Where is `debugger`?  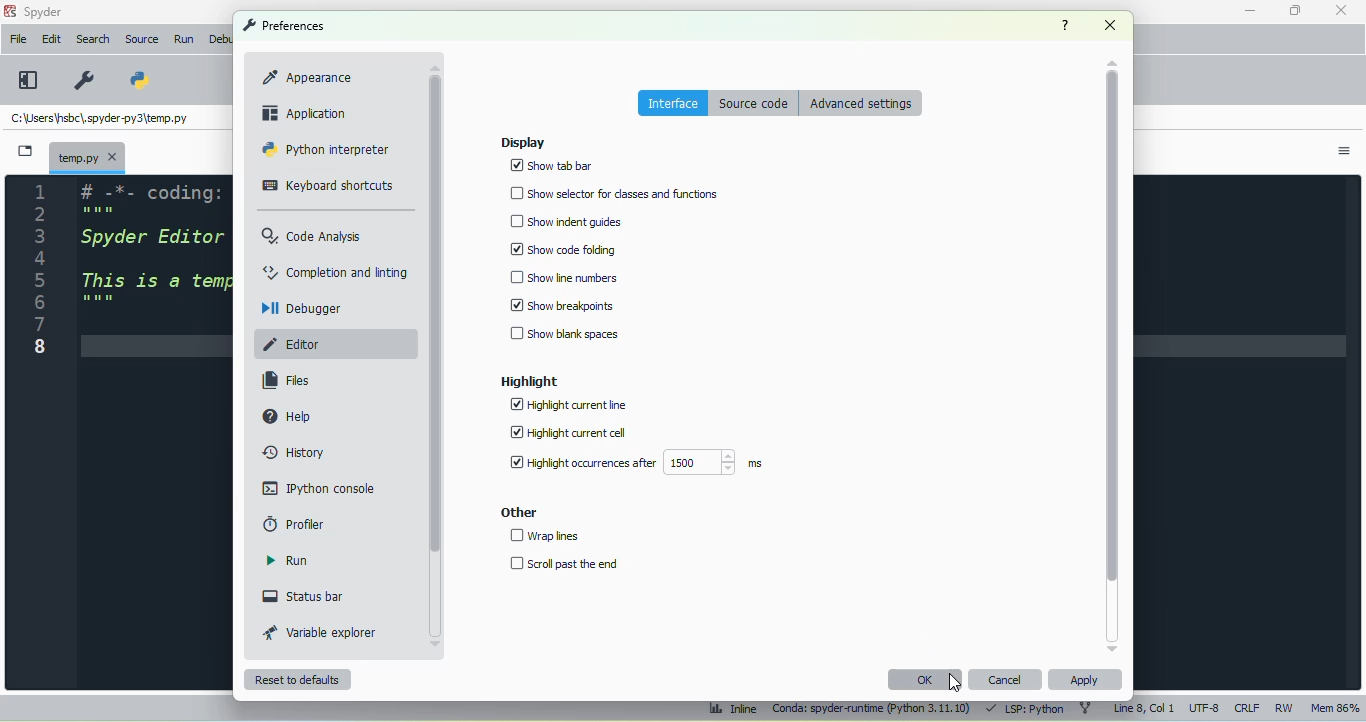 debugger is located at coordinates (304, 309).